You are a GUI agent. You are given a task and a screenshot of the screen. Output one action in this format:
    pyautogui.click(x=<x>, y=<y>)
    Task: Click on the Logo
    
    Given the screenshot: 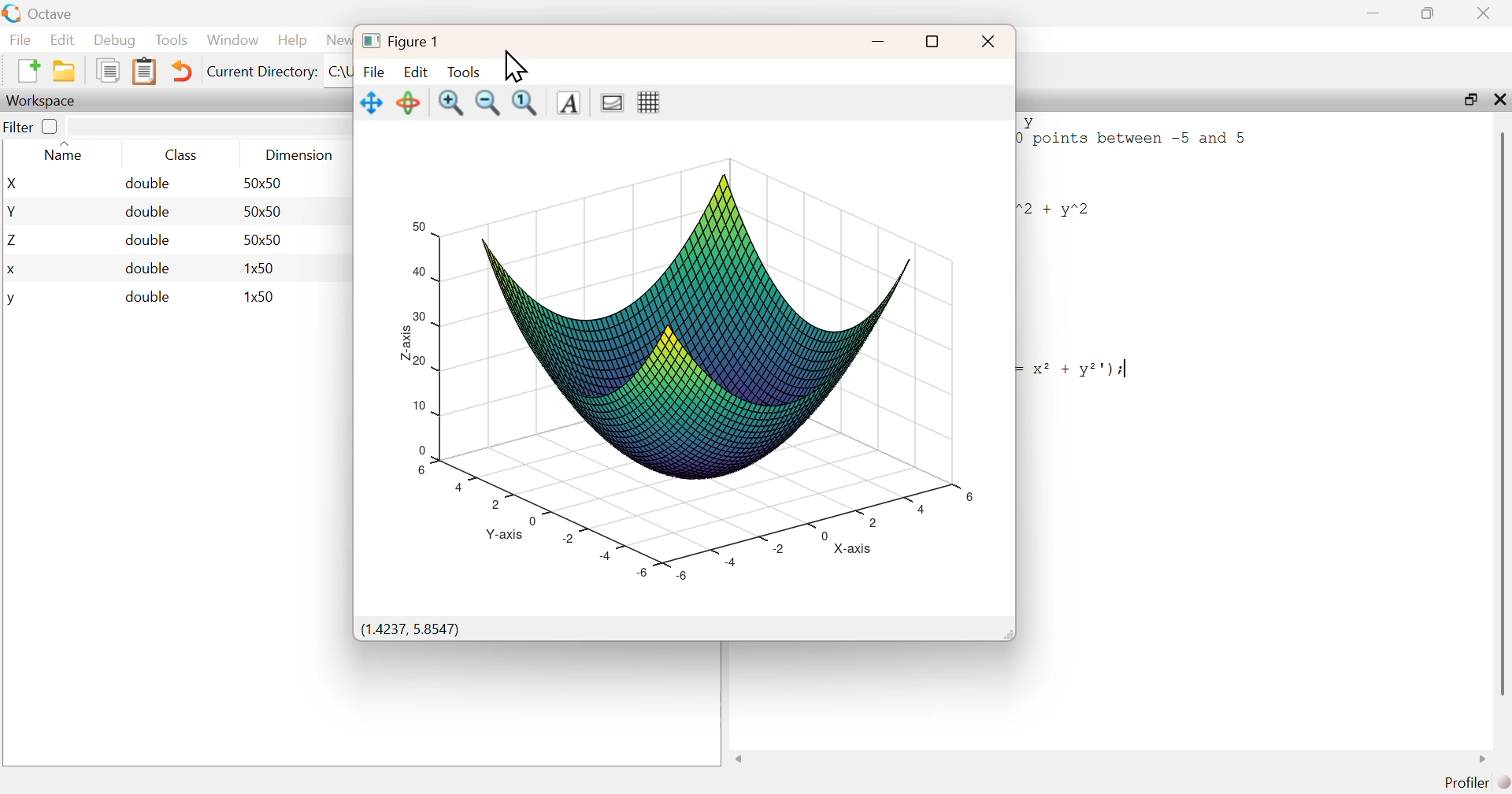 What is the action you would take?
    pyautogui.click(x=13, y=14)
    